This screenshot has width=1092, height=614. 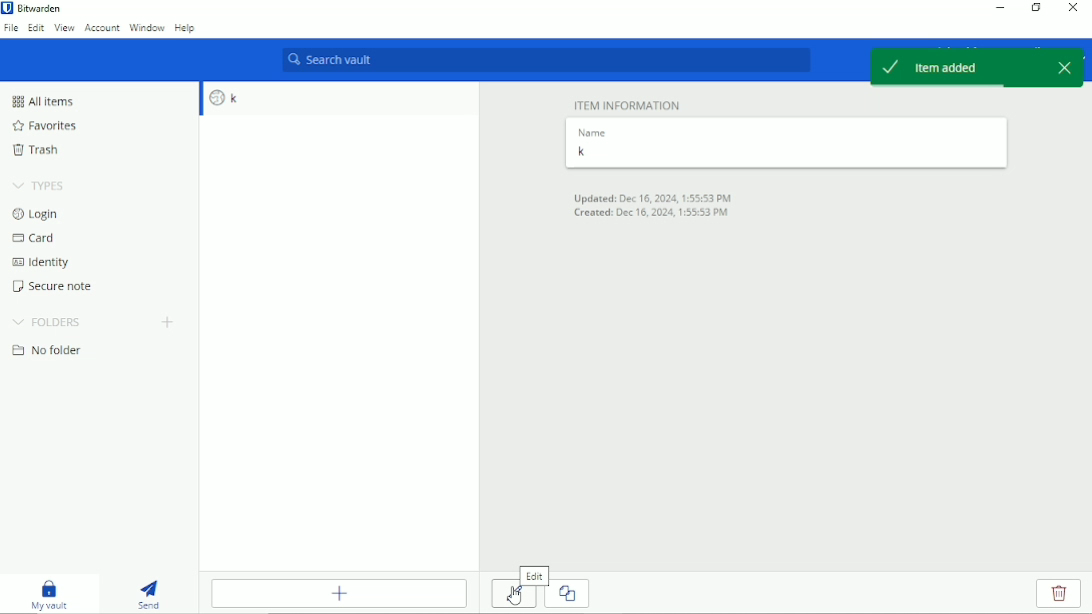 What do you see at coordinates (11, 29) in the screenshot?
I see `File` at bounding box center [11, 29].